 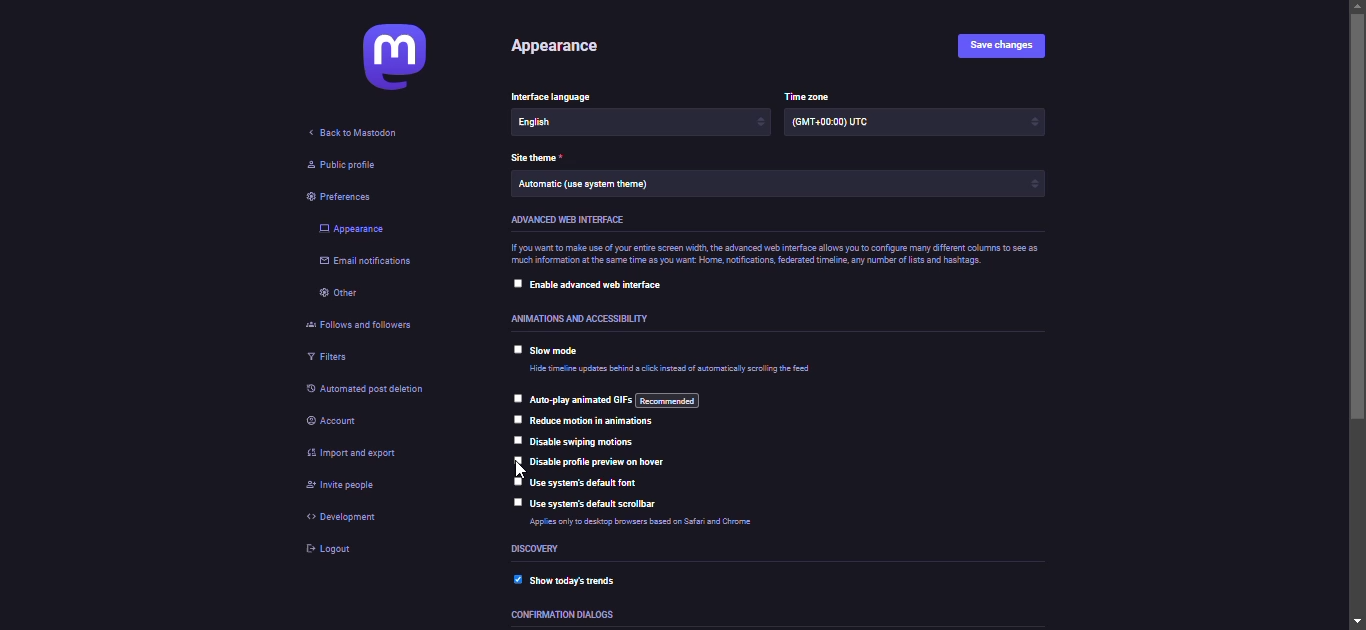 I want to click on language, so click(x=561, y=122).